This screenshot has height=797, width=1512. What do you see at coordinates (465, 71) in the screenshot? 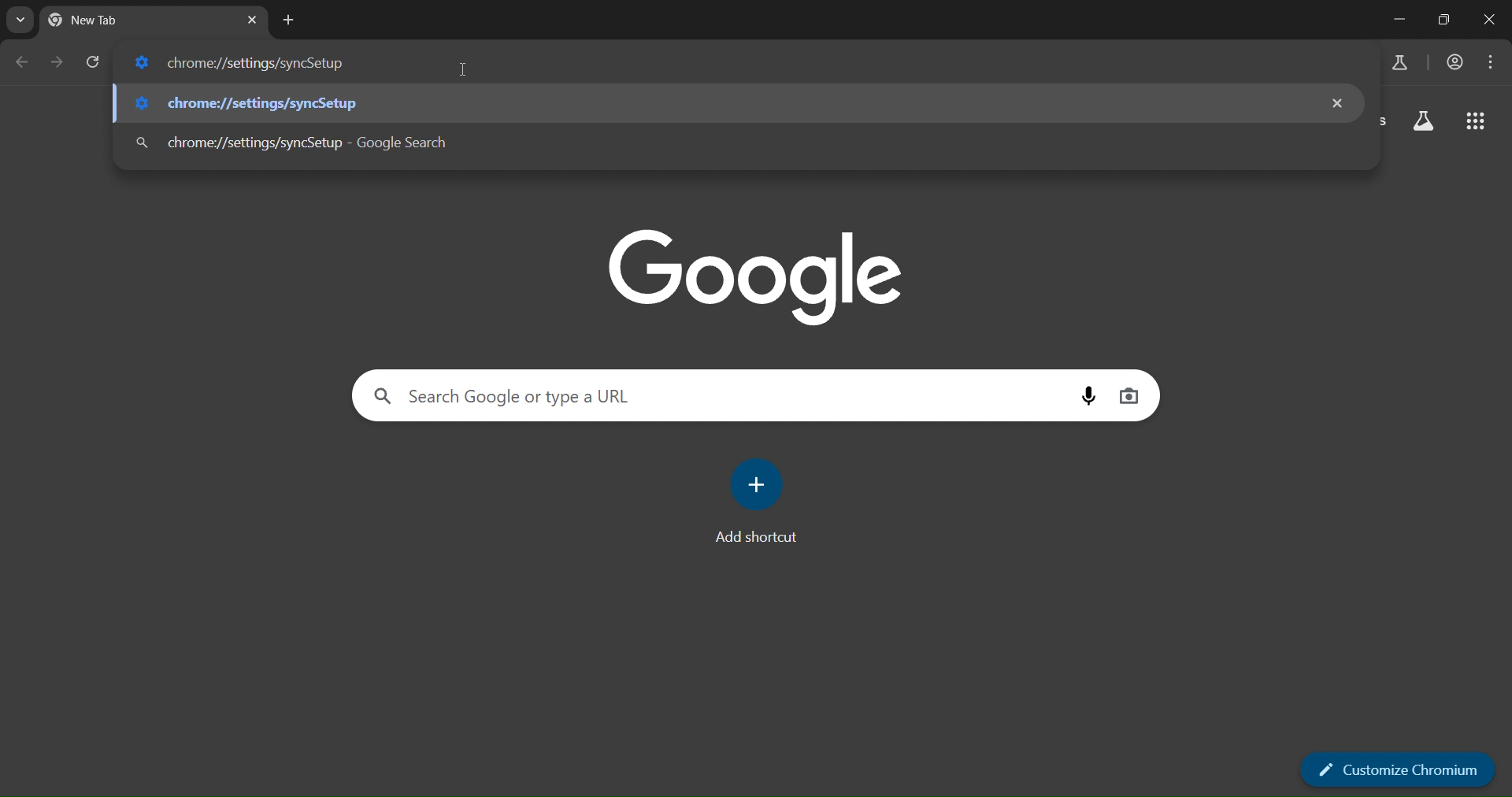
I see `cursor` at bounding box center [465, 71].